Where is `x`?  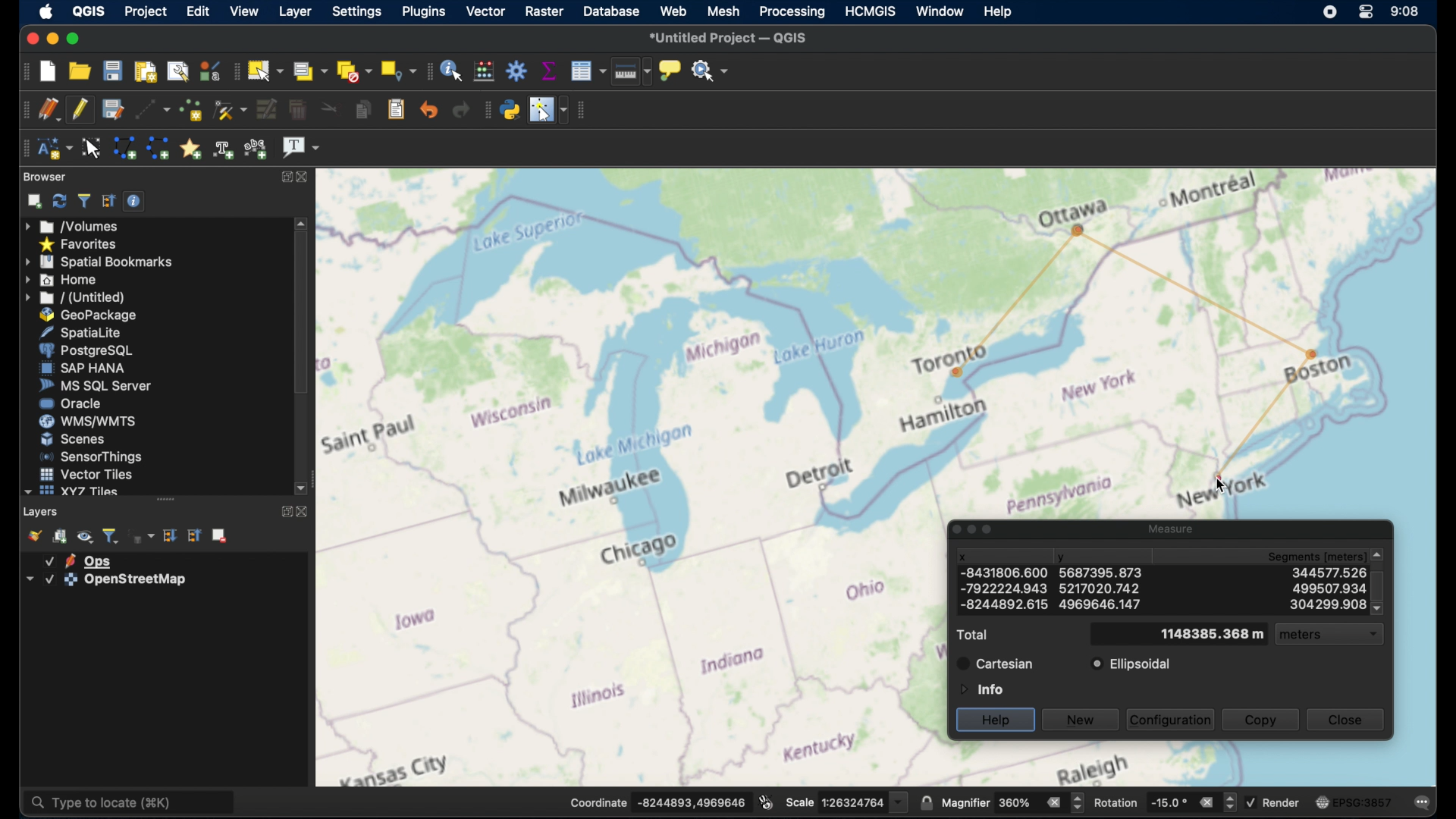
x is located at coordinates (1004, 604).